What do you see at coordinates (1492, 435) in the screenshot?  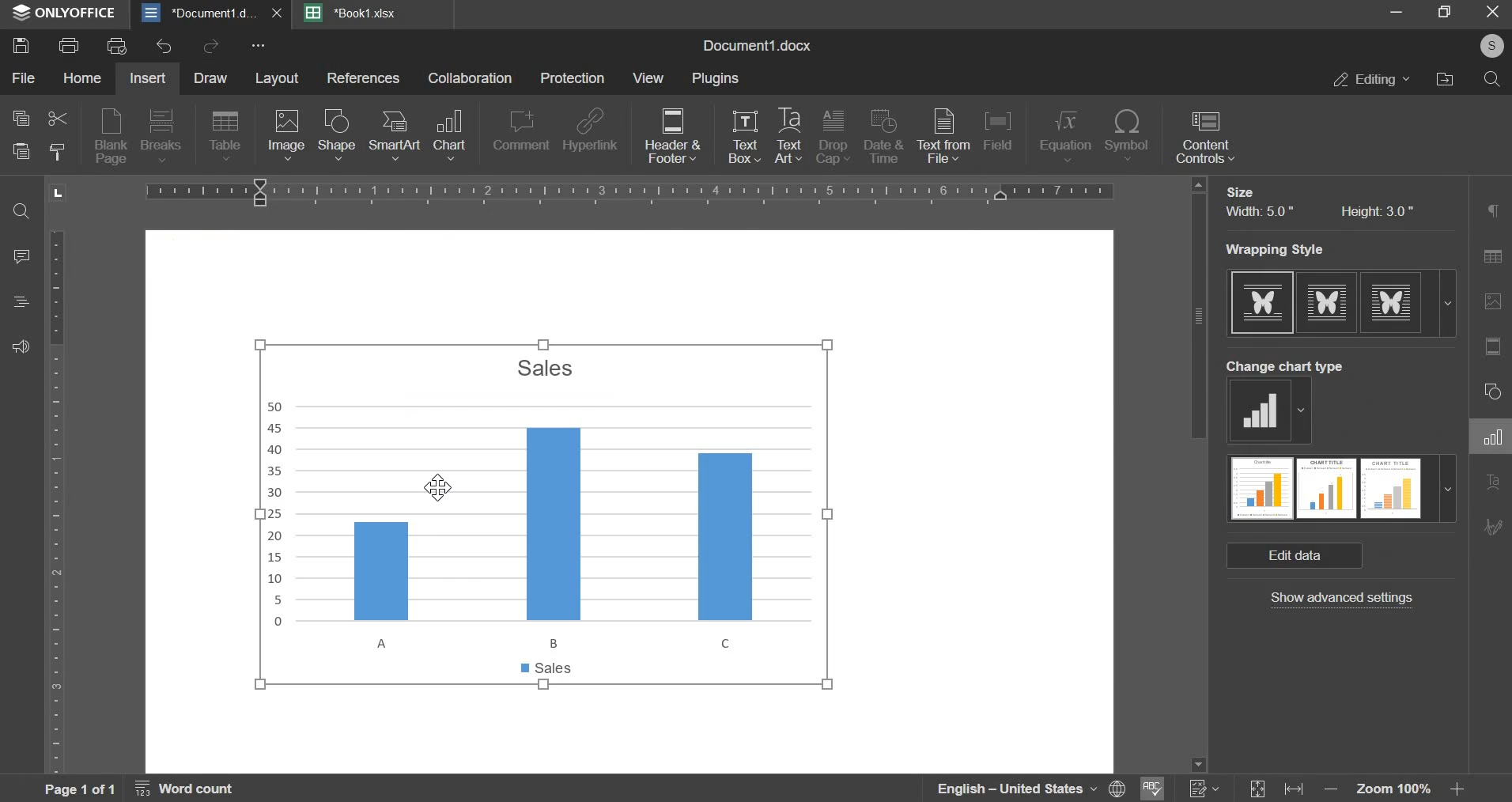 I see `Comment Tool` at bounding box center [1492, 435].